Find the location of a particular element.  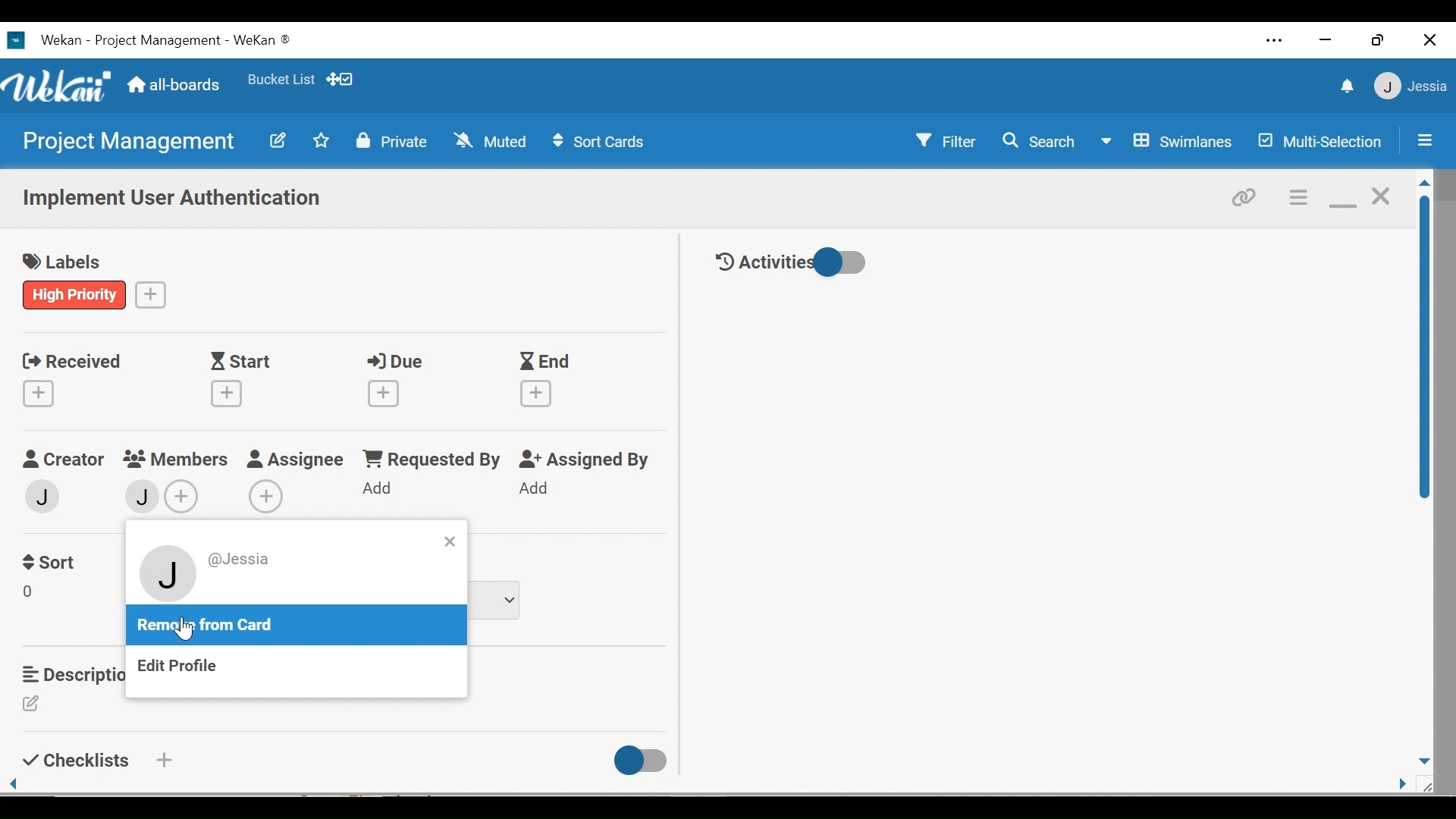

Settings and more is located at coordinates (1275, 42).